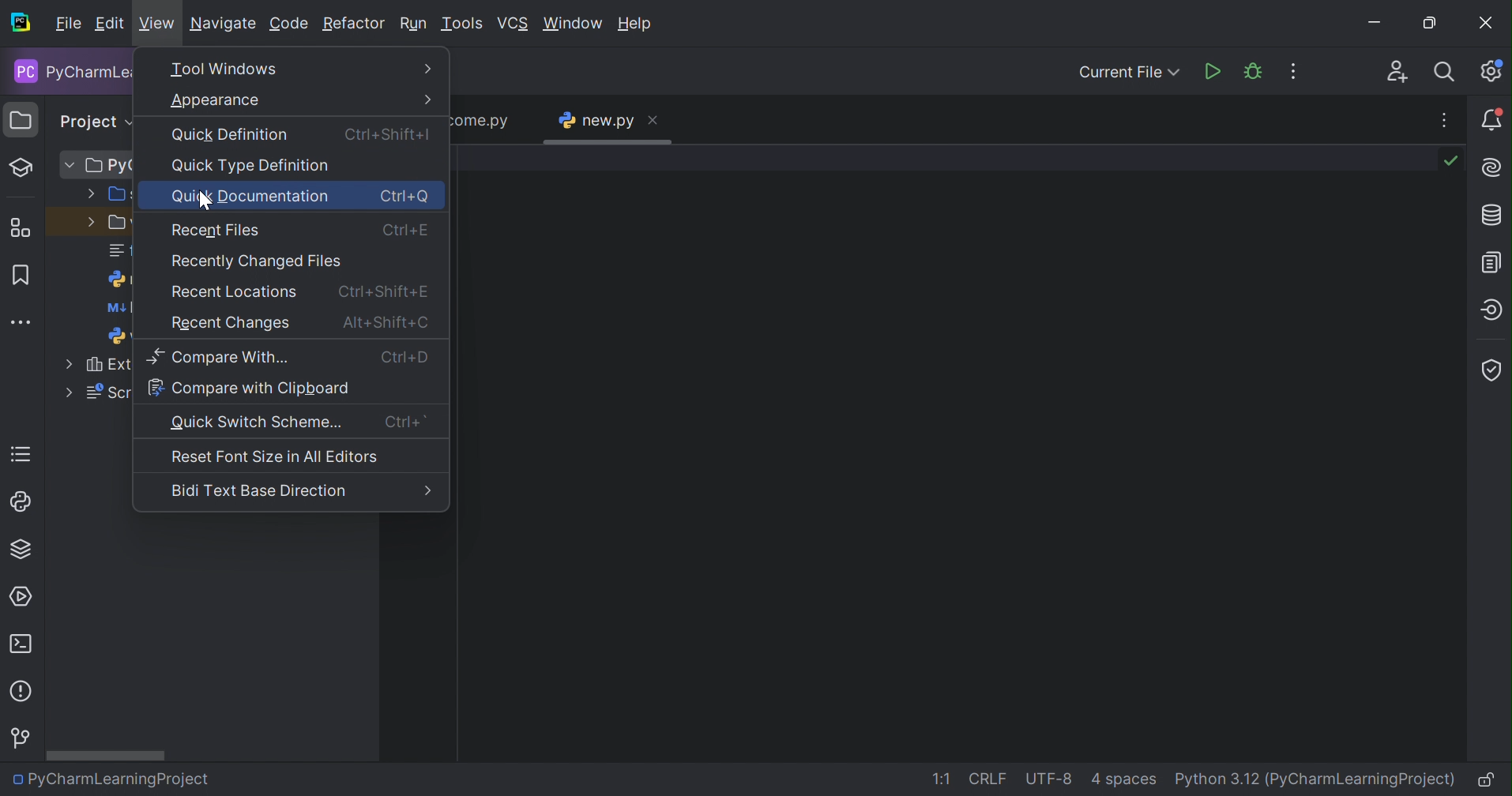 The width and height of the screenshot is (1512, 796). Describe the element at coordinates (405, 358) in the screenshot. I see `Ctrl+D` at that location.